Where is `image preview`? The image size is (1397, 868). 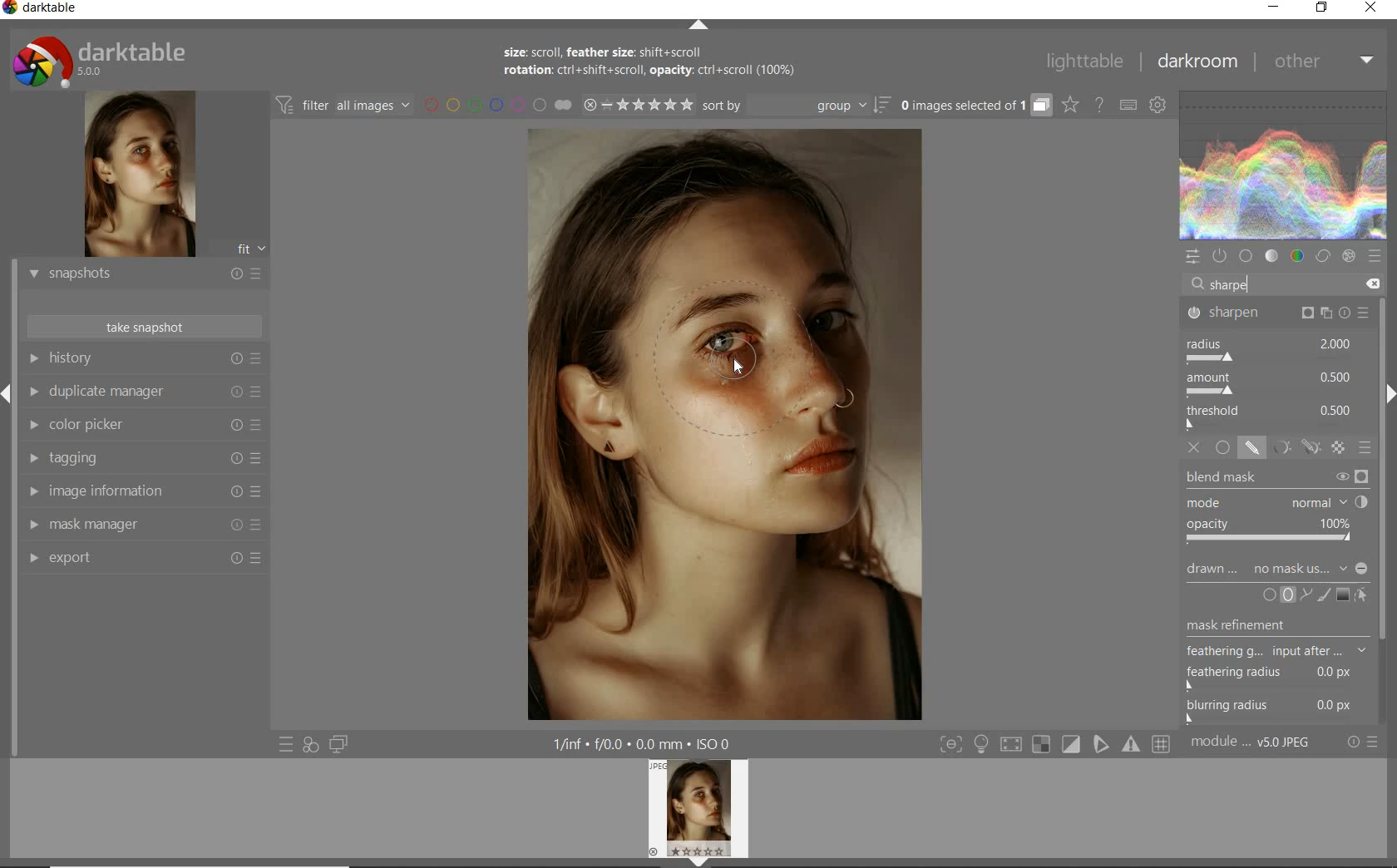
image preview is located at coordinates (137, 176).